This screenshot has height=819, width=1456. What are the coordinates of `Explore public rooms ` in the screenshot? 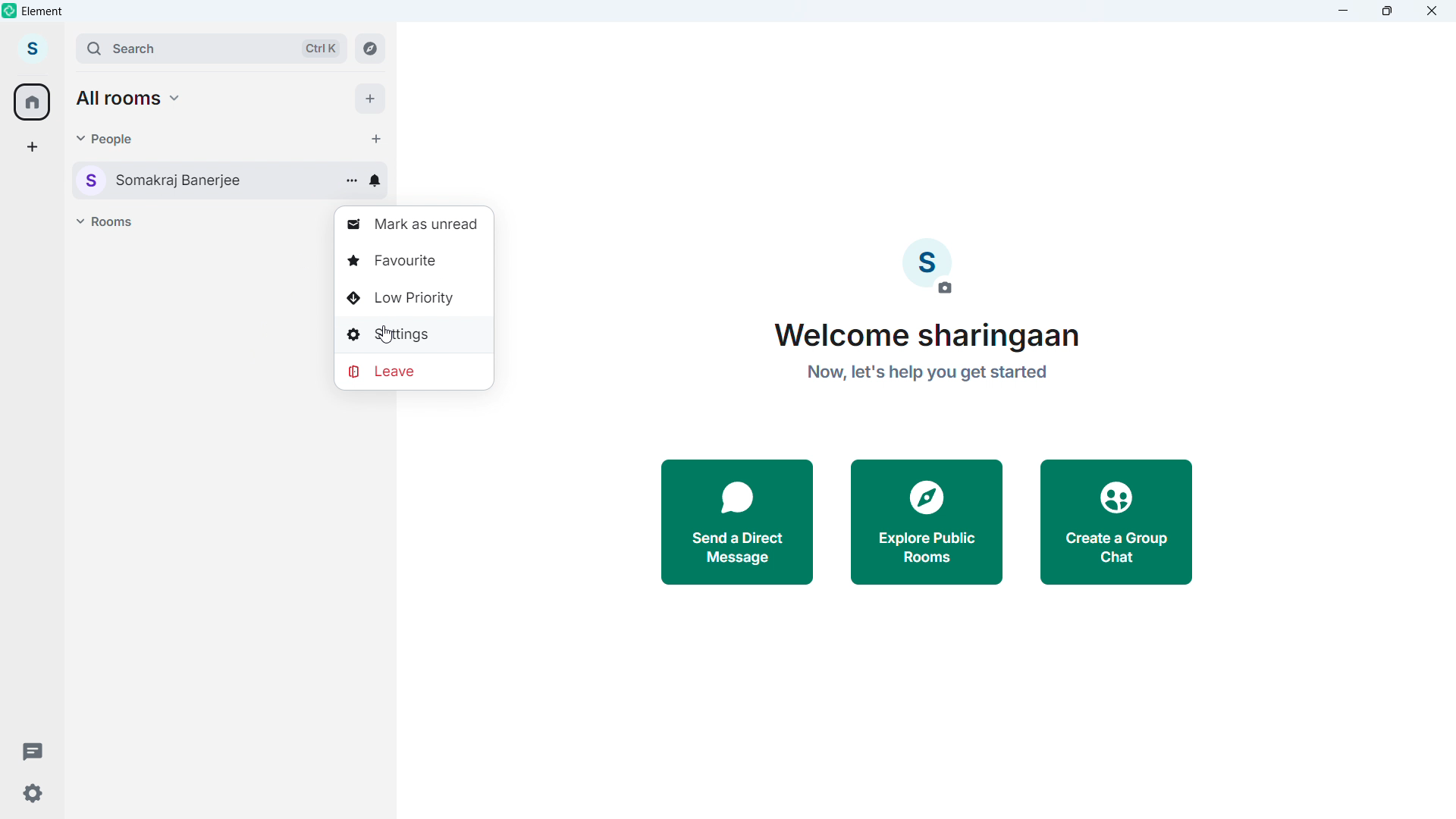 It's located at (926, 524).